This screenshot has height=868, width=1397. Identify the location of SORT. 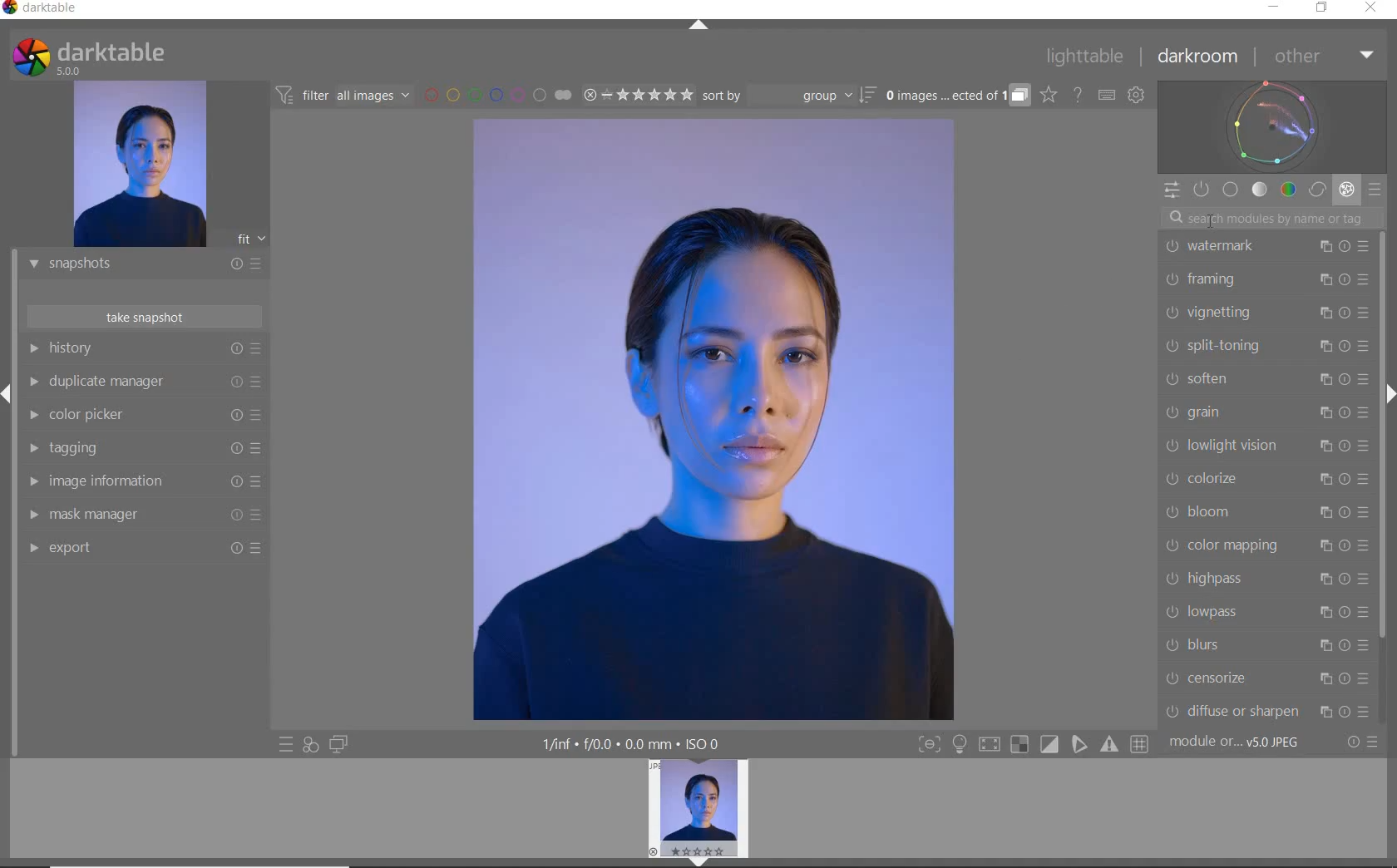
(787, 95).